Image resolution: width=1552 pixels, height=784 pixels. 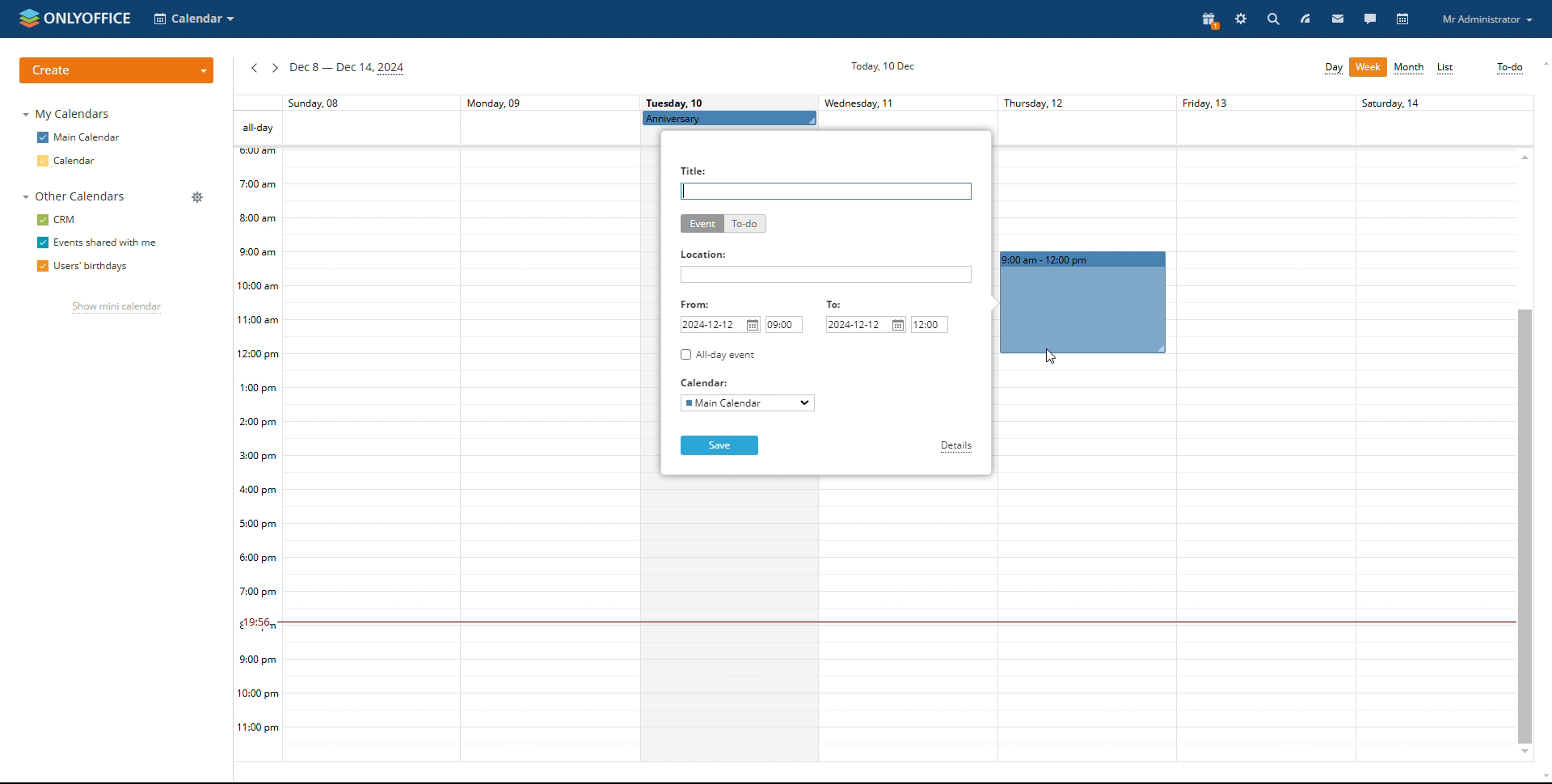 What do you see at coordinates (747, 403) in the screenshot?
I see `select calendar` at bounding box center [747, 403].